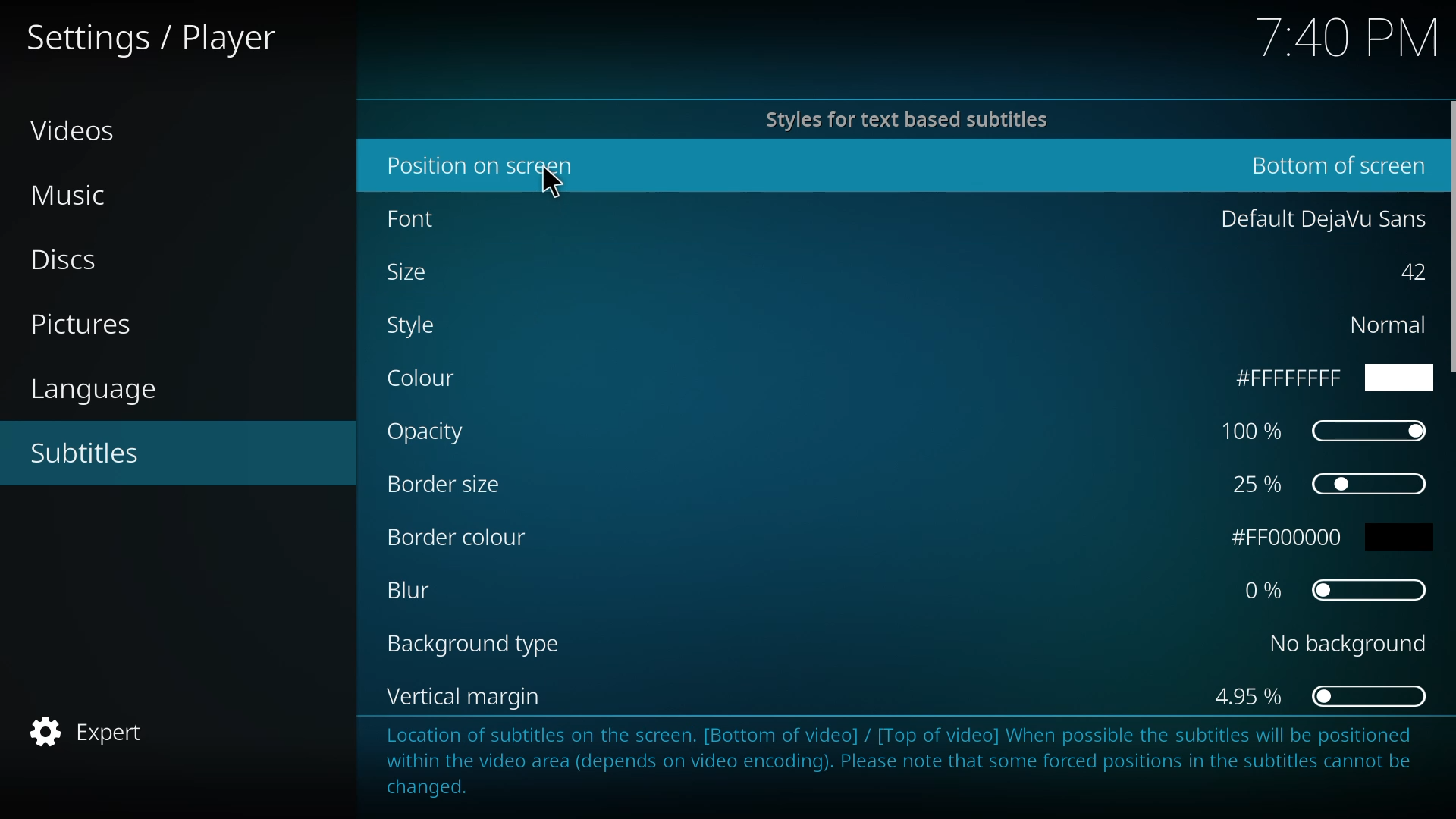 The height and width of the screenshot is (819, 1456). What do you see at coordinates (94, 391) in the screenshot?
I see `language` at bounding box center [94, 391].